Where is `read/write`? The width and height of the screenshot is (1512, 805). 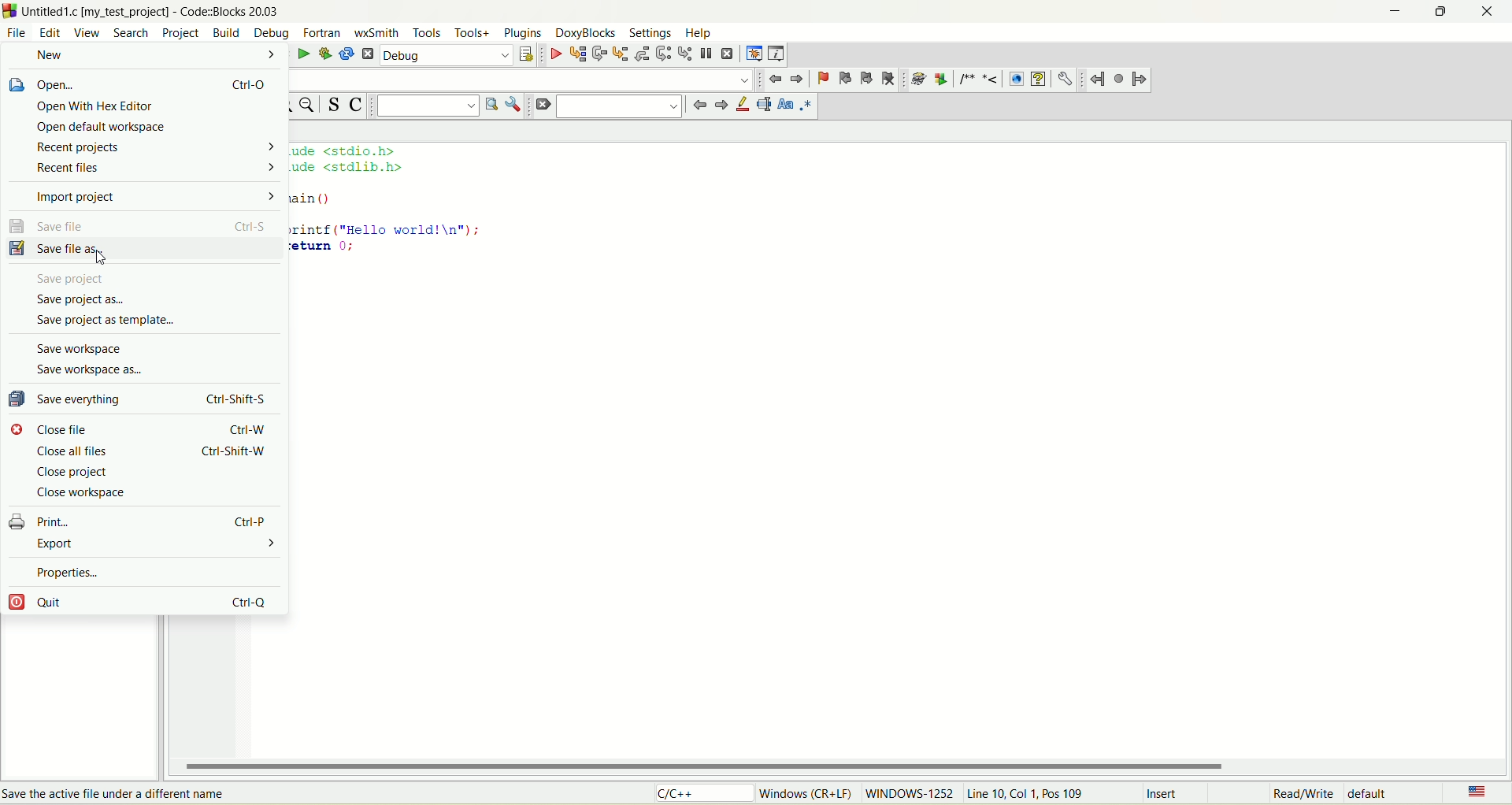 read/write is located at coordinates (1300, 795).